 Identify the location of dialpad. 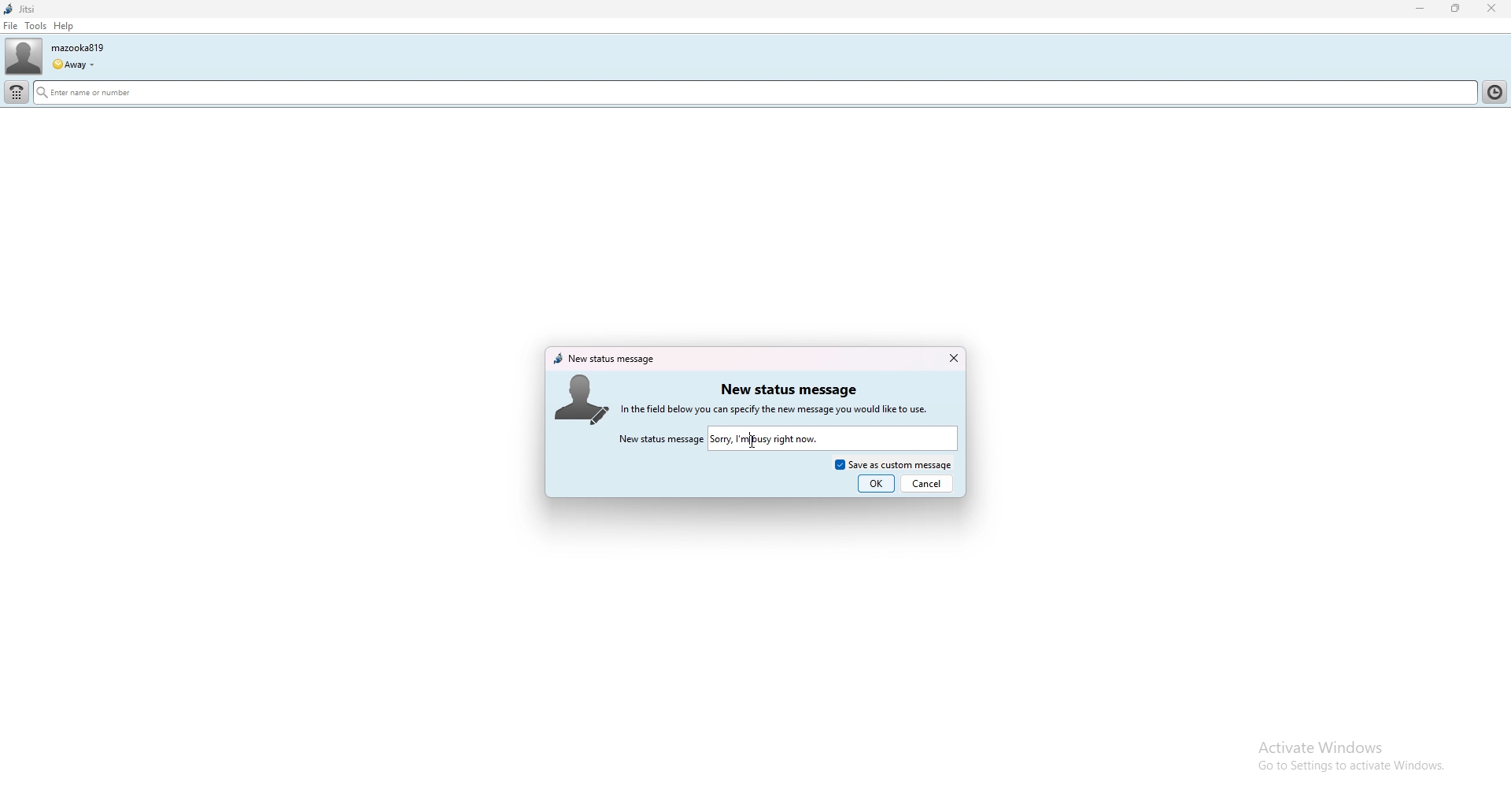
(17, 93).